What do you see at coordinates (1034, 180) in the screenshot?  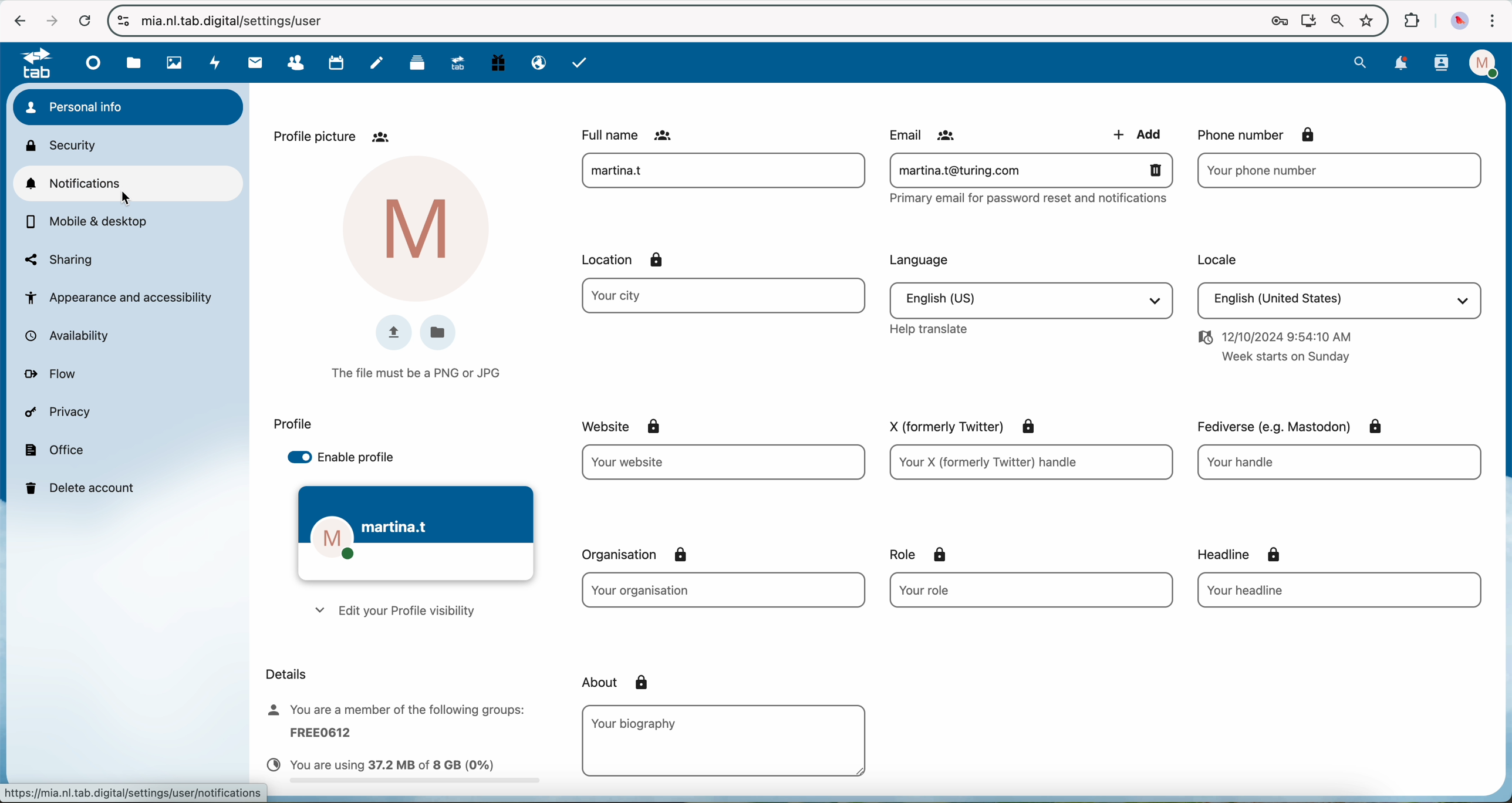 I see `email` at bounding box center [1034, 180].